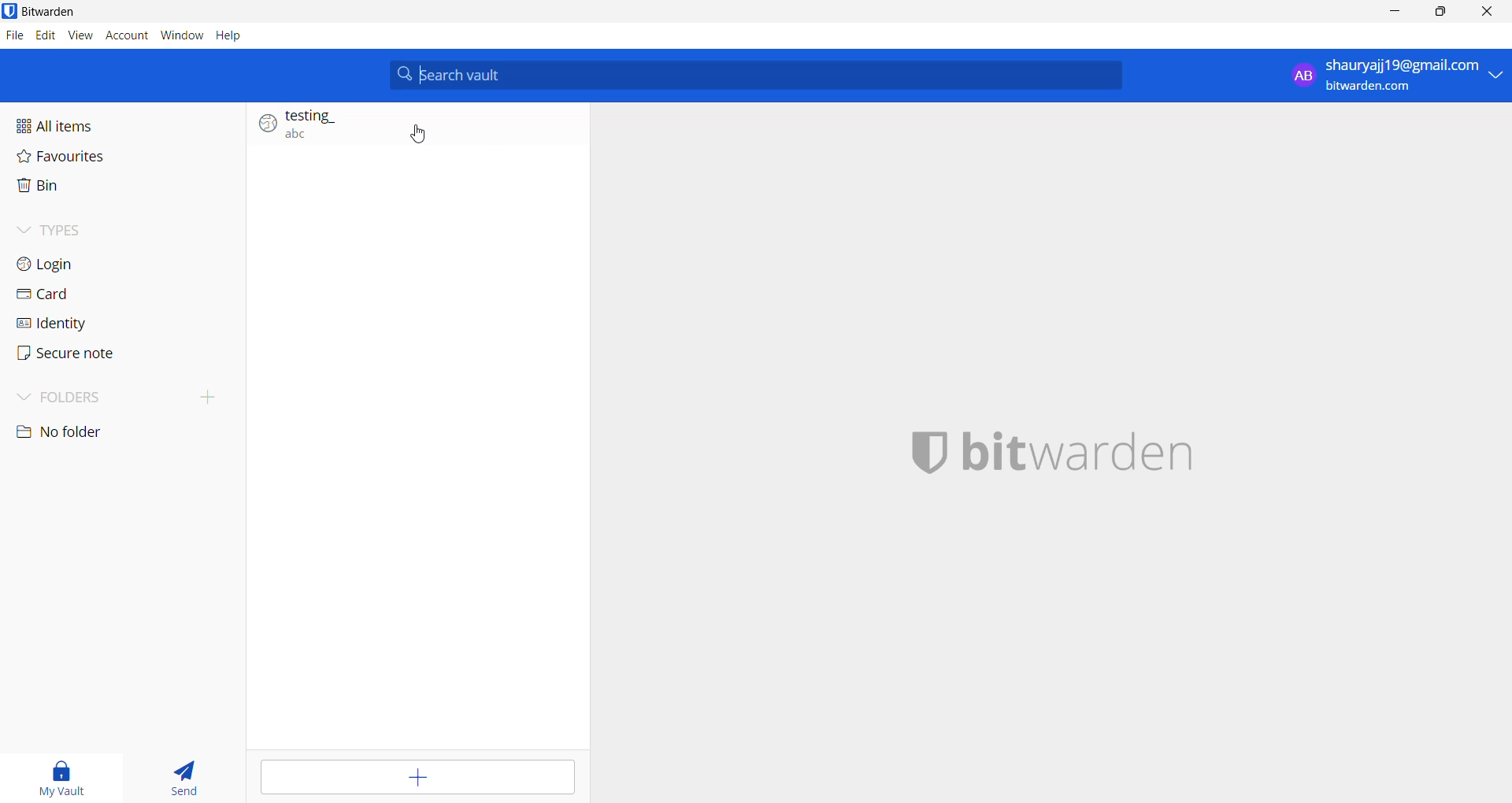  What do you see at coordinates (1094, 457) in the screenshot?
I see `Application name` at bounding box center [1094, 457].